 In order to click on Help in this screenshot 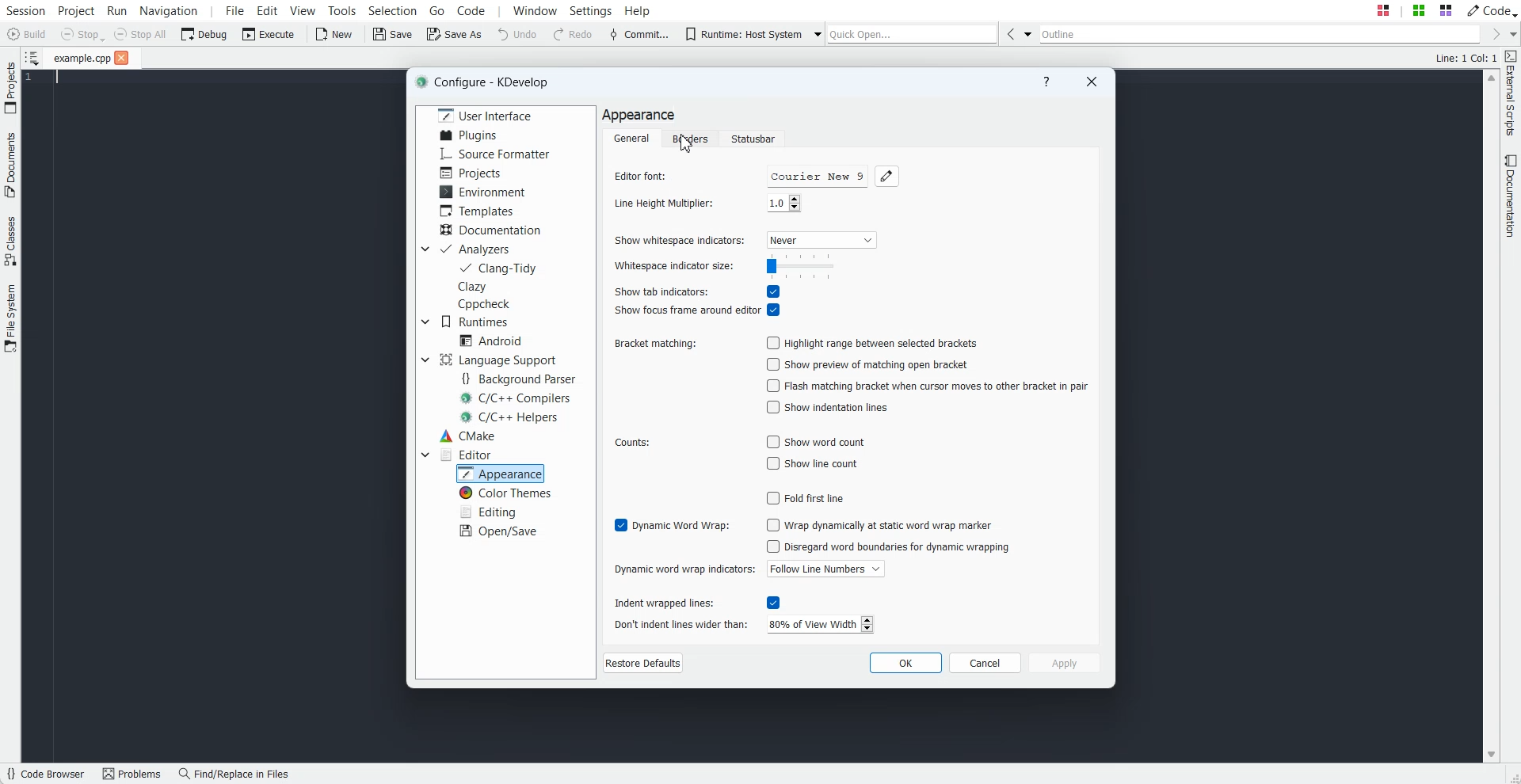, I will do `click(638, 10)`.